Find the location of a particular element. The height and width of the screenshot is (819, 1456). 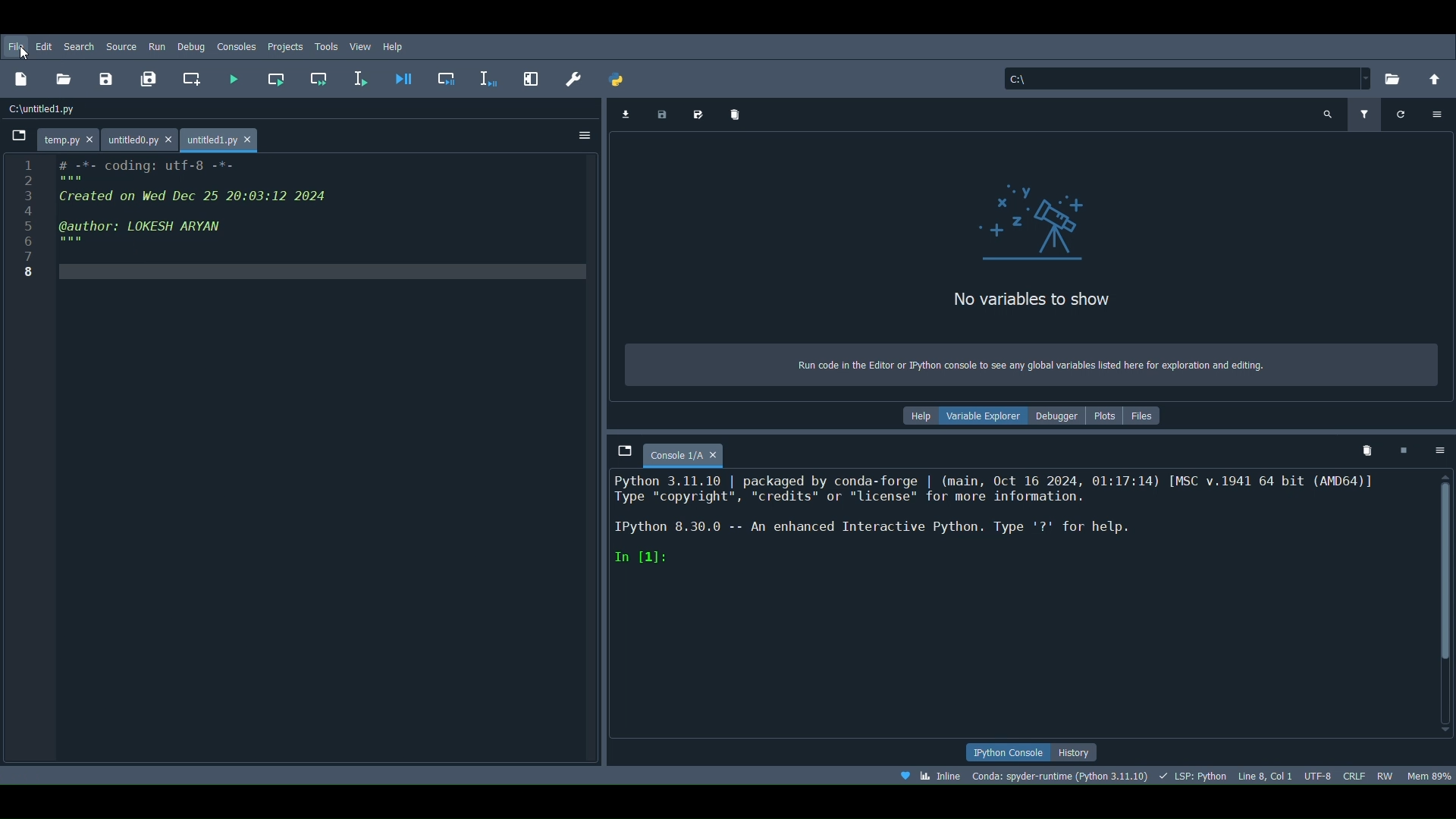

Cursor is located at coordinates (24, 55).